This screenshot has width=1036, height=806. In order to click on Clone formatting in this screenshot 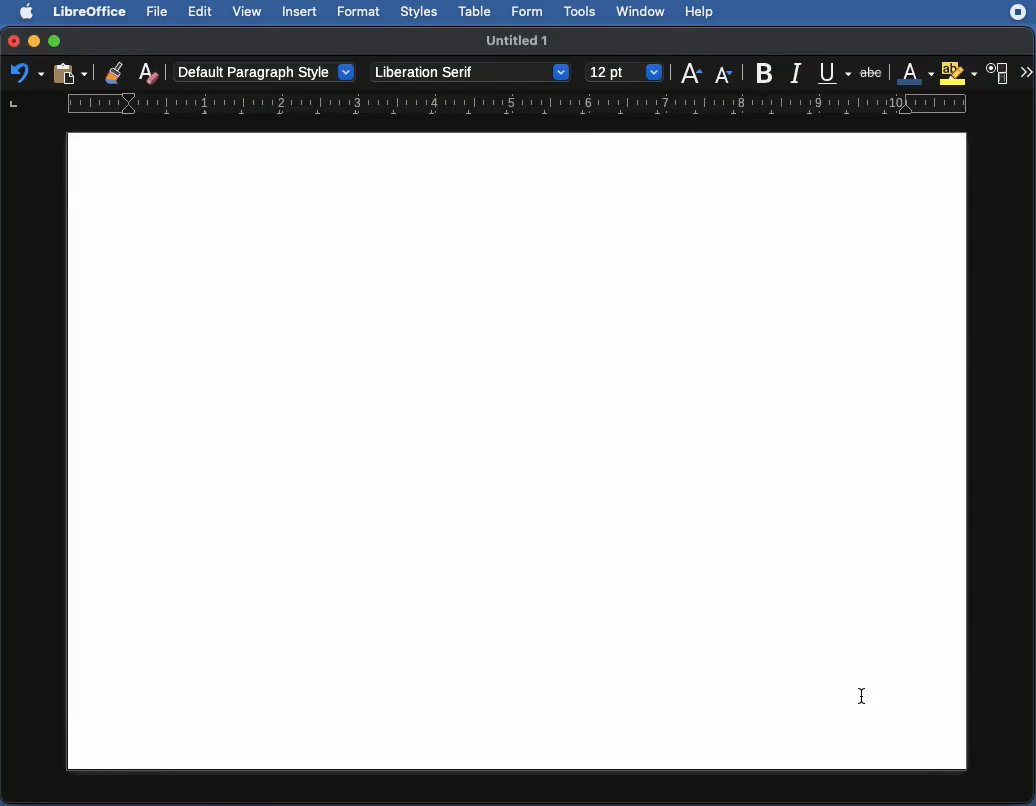, I will do `click(113, 72)`.